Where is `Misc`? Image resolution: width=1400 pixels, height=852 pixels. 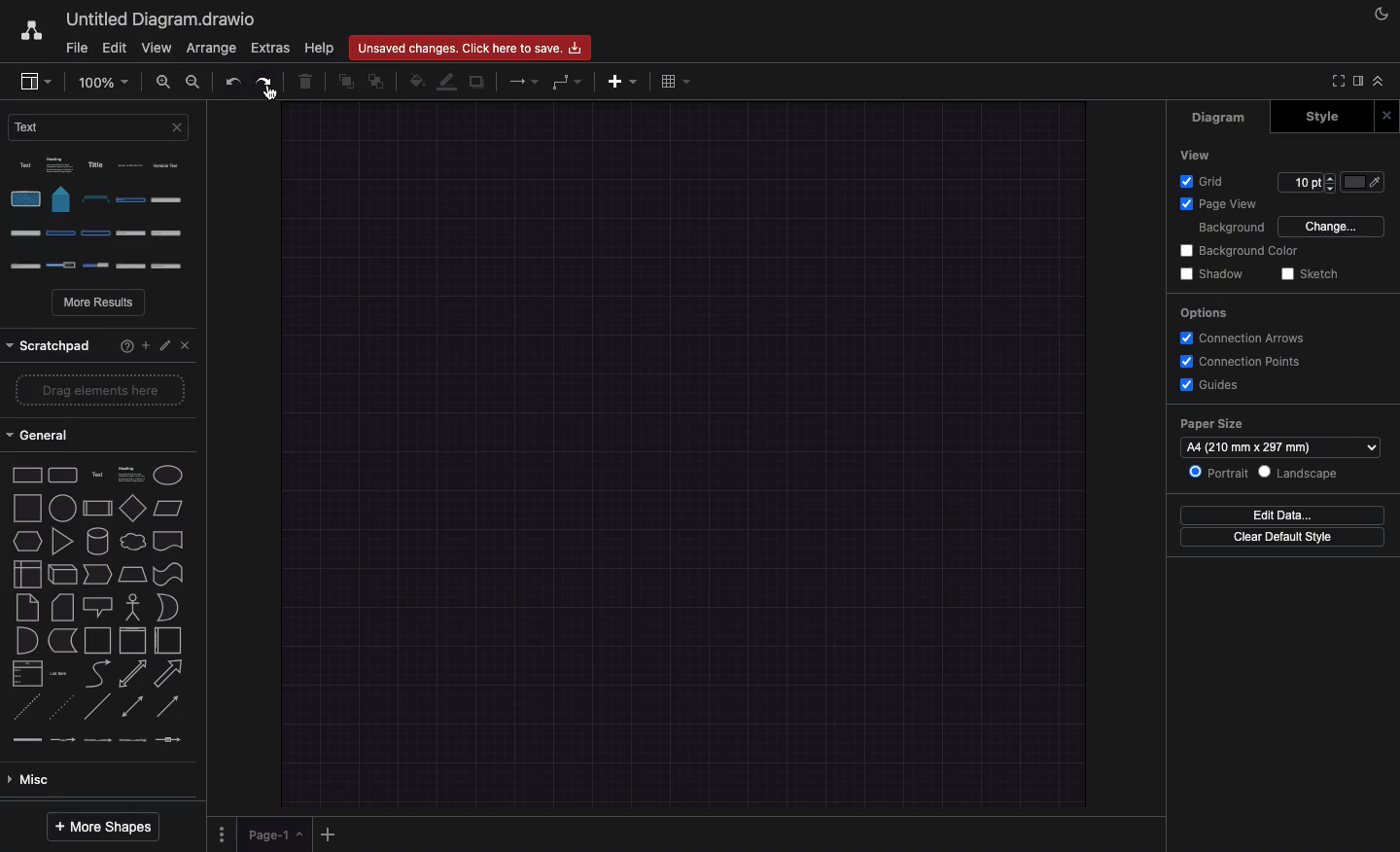
Misc is located at coordinates (32, 782).